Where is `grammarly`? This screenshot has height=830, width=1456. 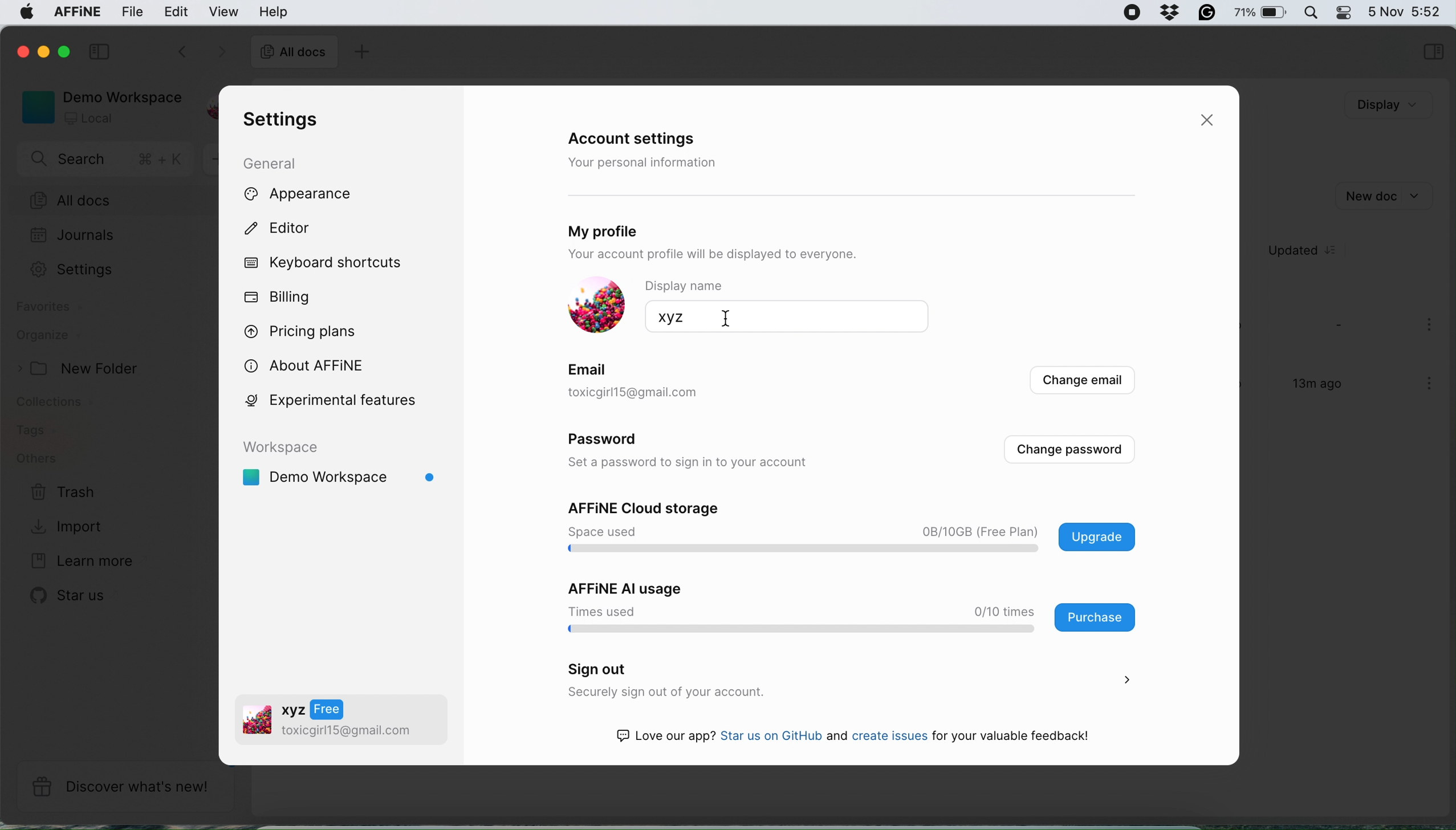 grammarly is located at coordinates (1204, 11).